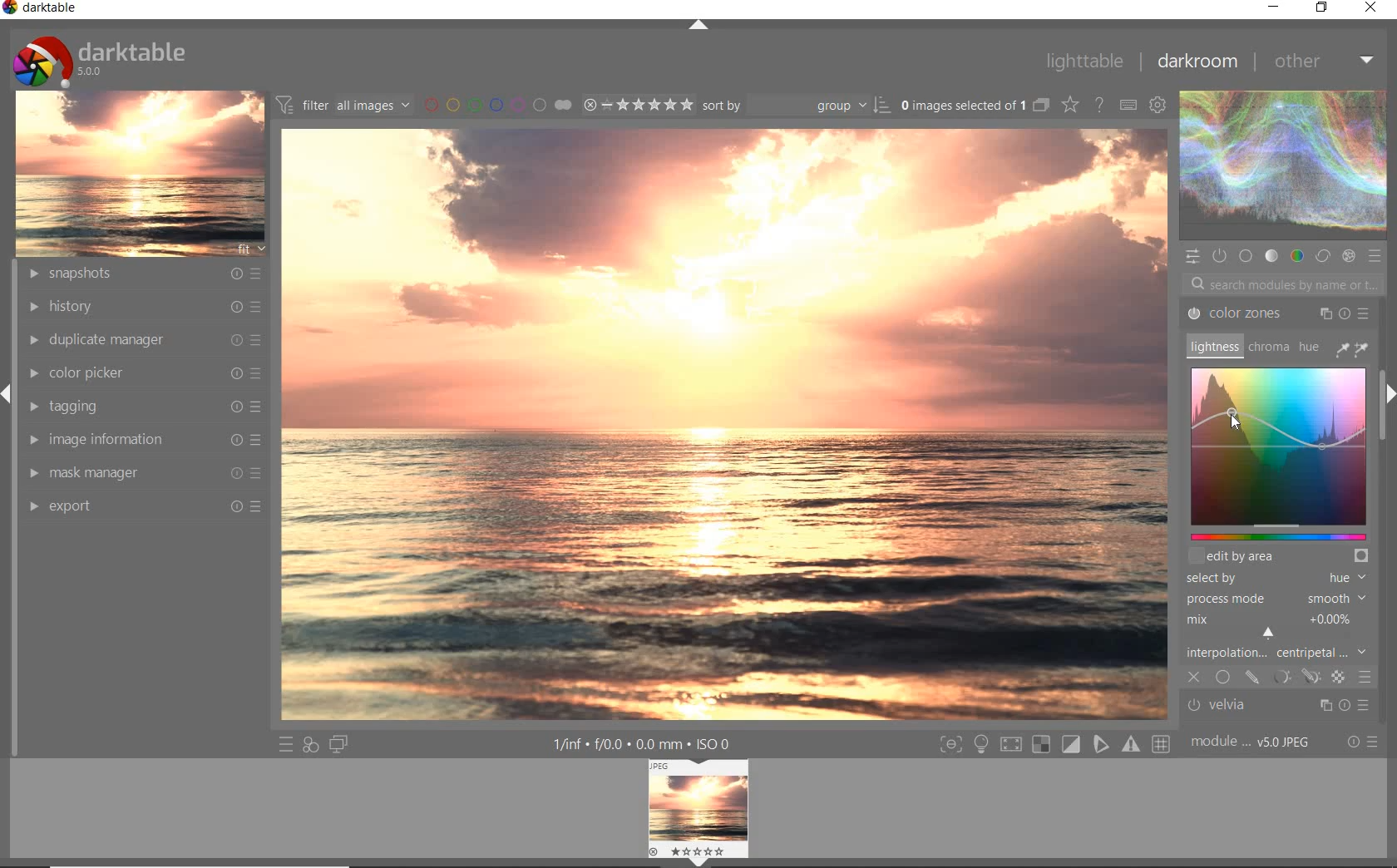 The width and height of the screenshot is (1397, 868). I want to click on CORRECT, so click(1323, 257).